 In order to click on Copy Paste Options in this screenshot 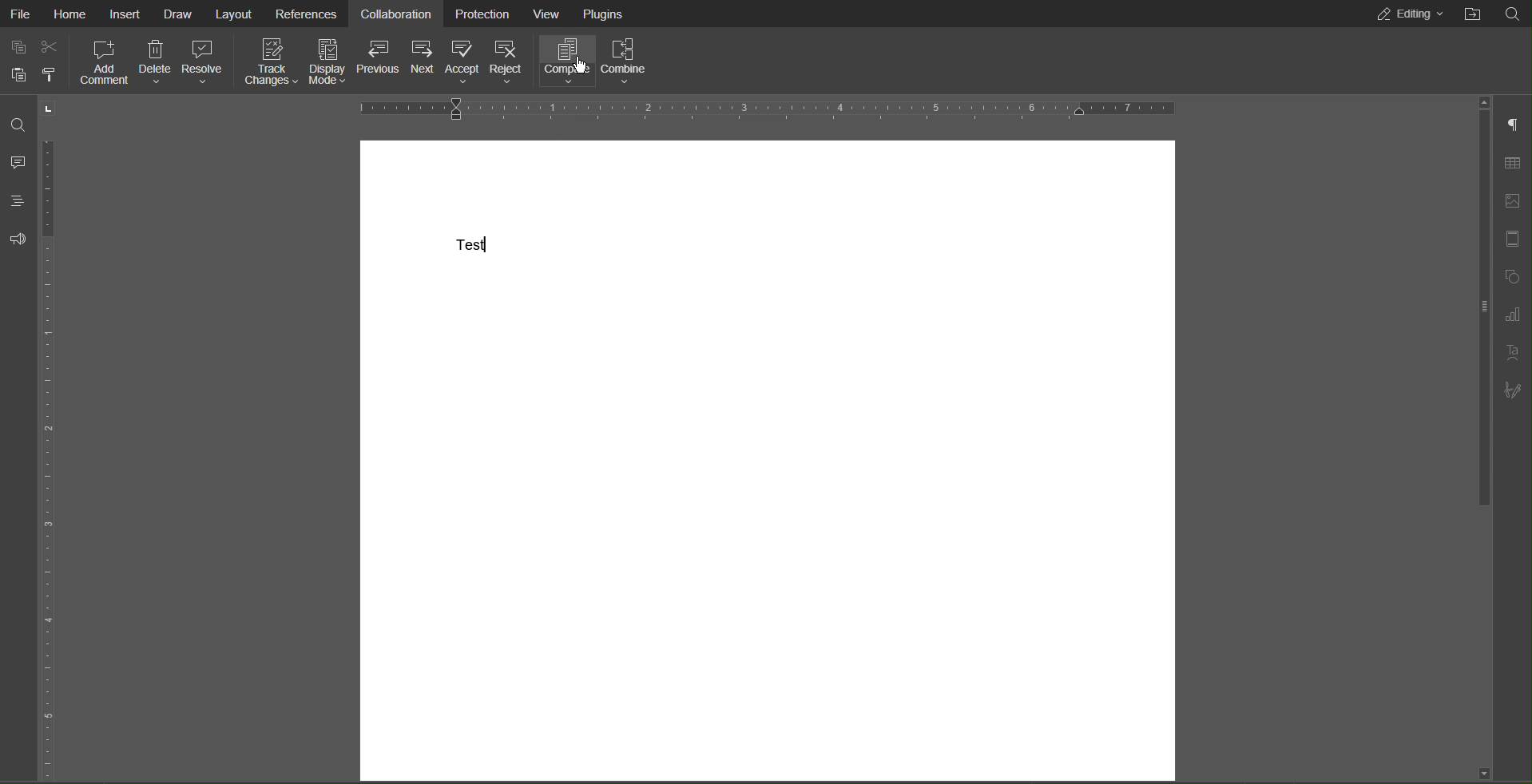, I will do `click(13, 46)`.